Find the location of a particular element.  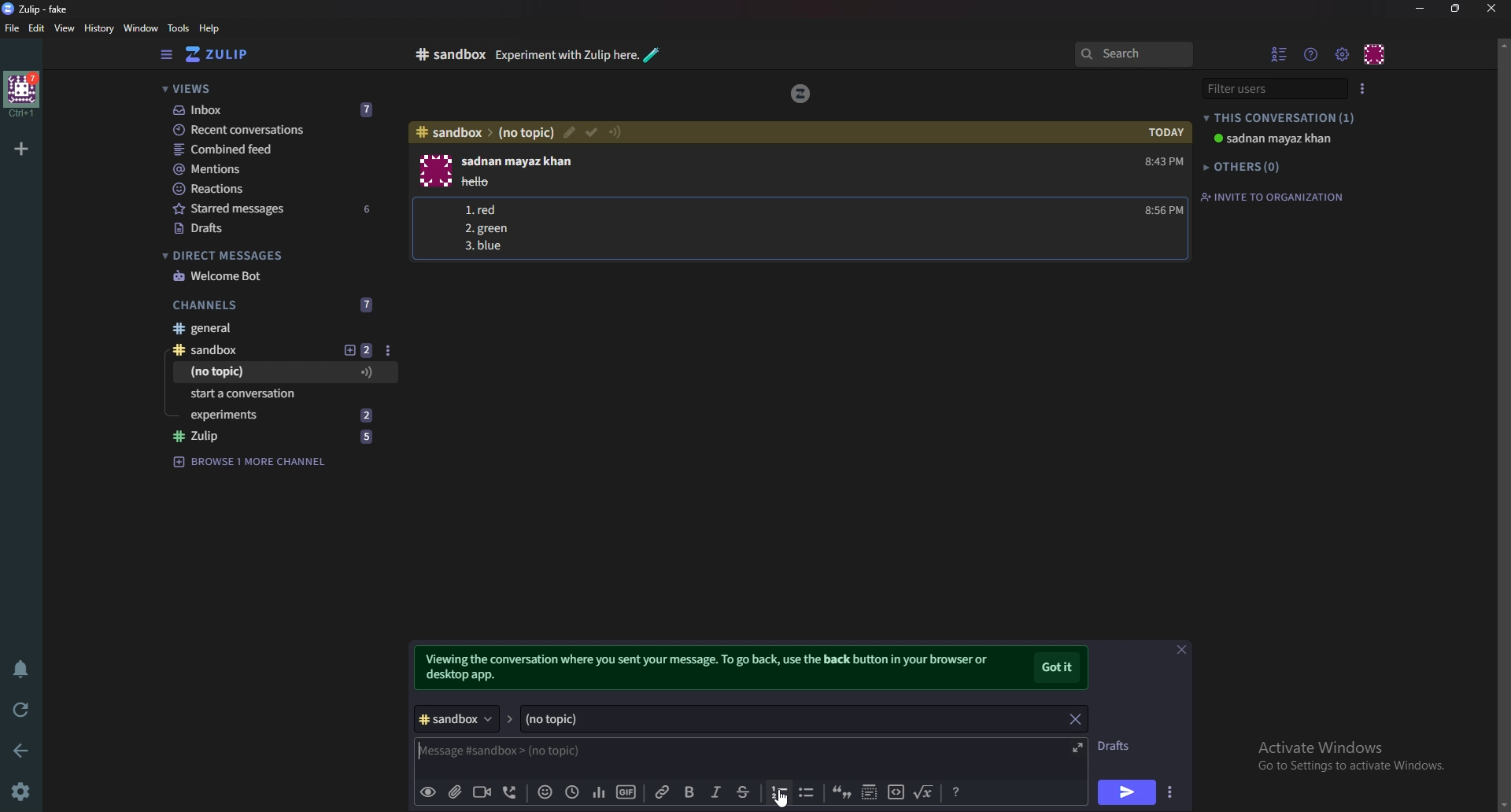

User photo is located at coordinates (434, 171).